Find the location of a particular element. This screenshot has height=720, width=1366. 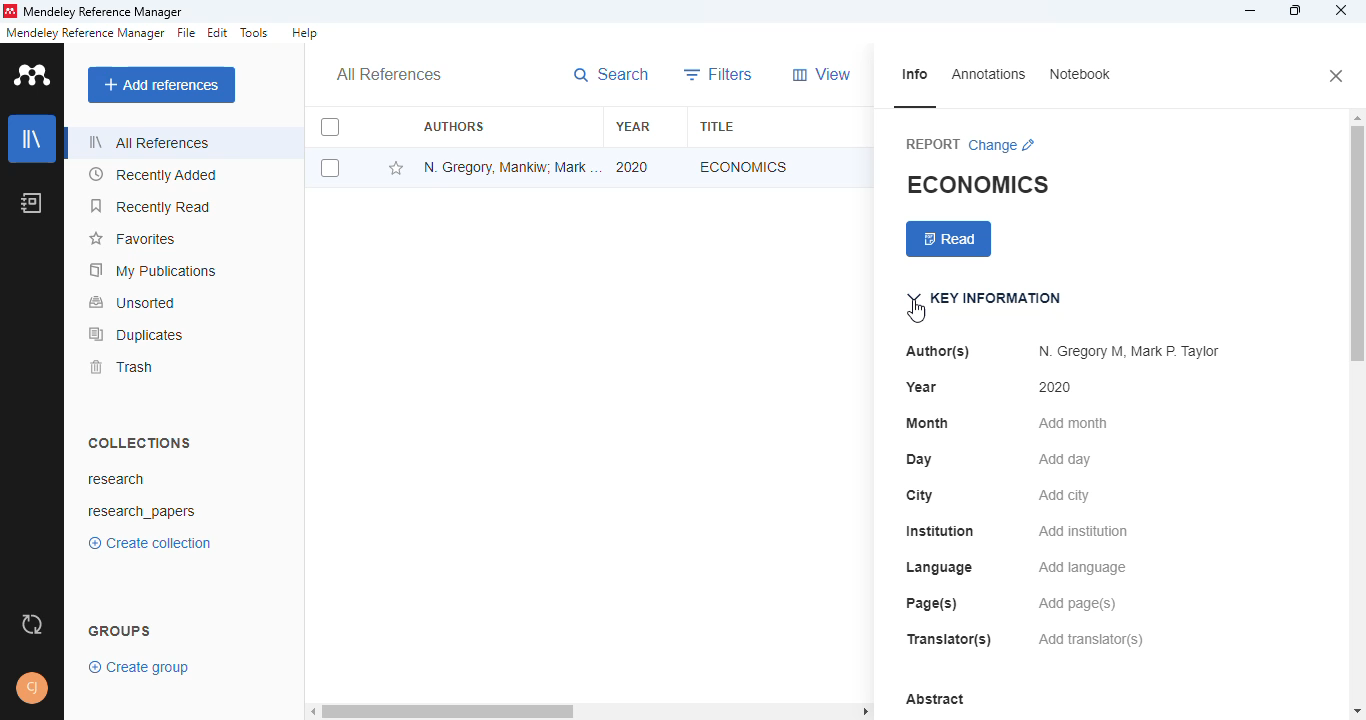

add language is located at coordinates (1083, 568).